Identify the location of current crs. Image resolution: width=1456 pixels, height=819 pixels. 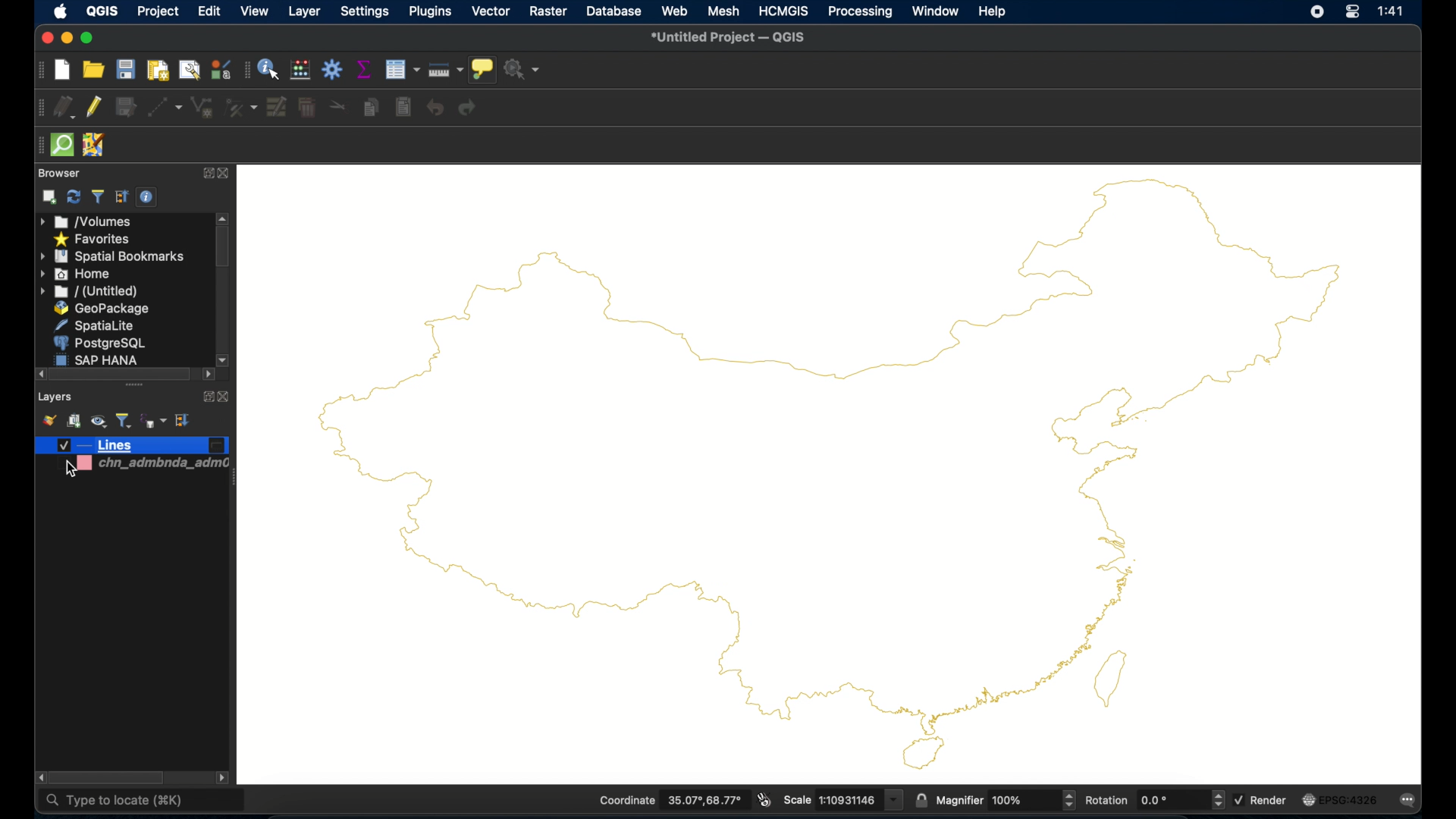
(1342, 799).